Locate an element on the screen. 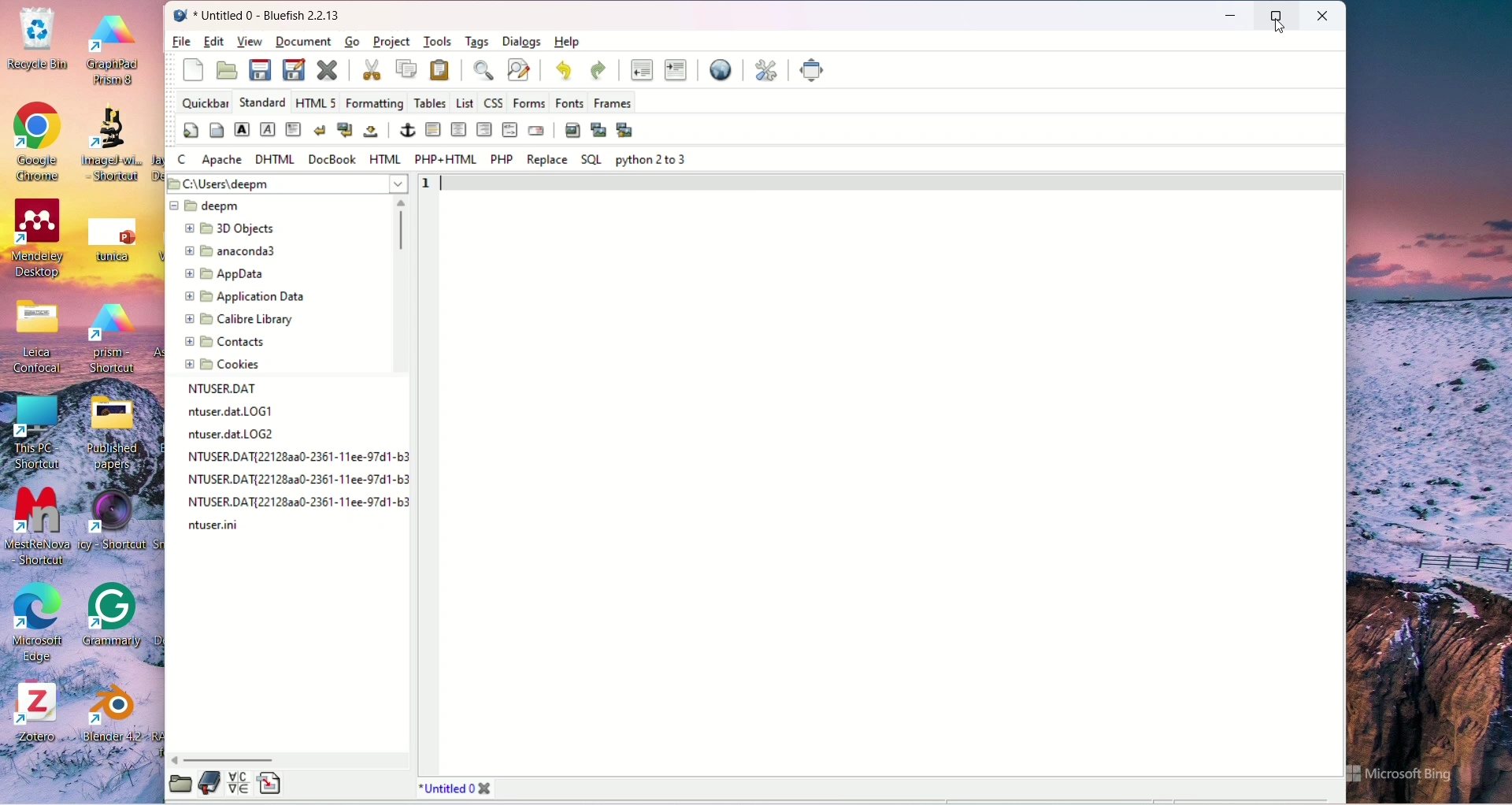  go is located at coordinates (350, 43).